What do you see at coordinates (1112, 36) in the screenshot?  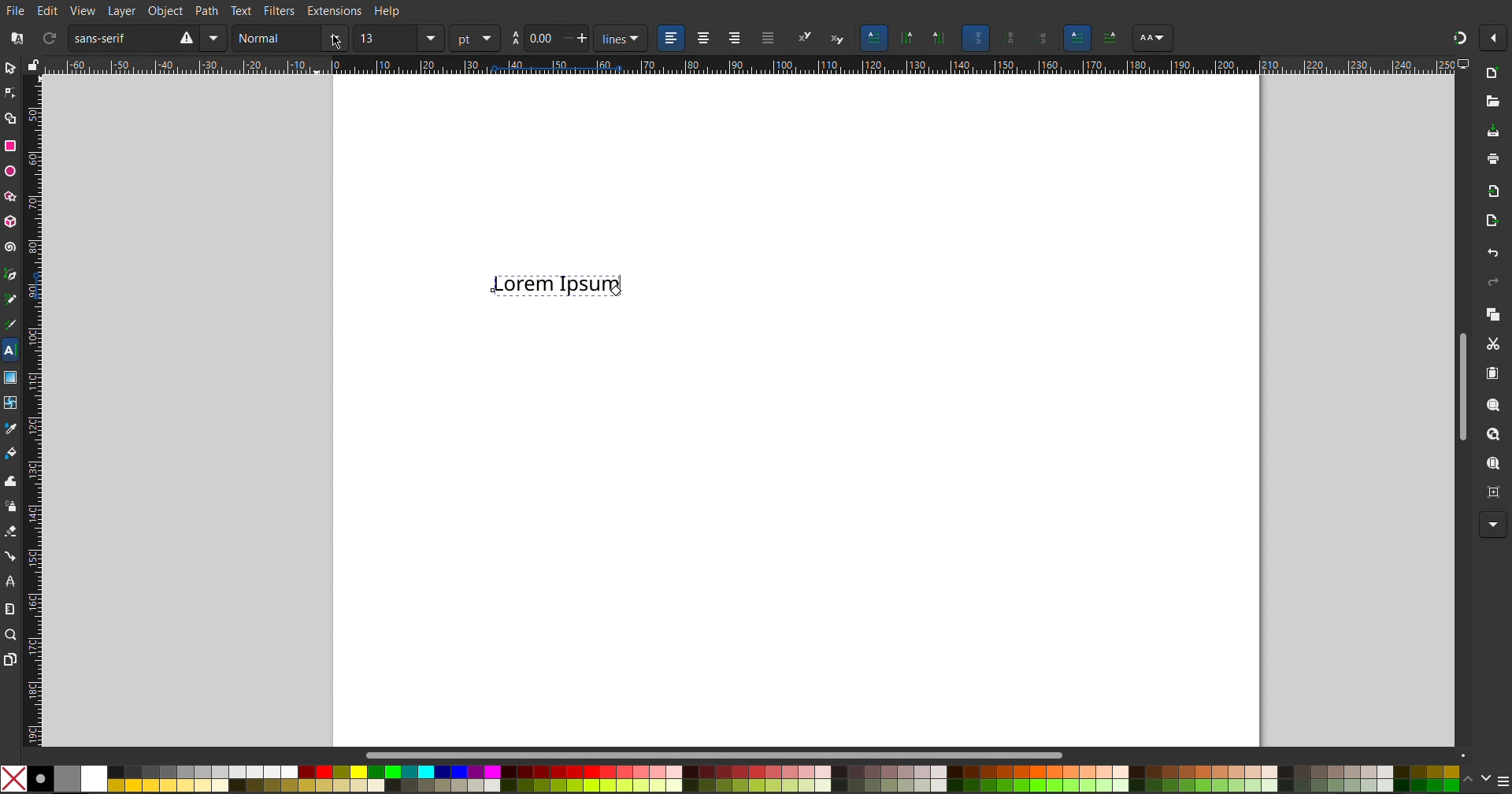 I see `Right to left text` at bounding box center [1112, 36].